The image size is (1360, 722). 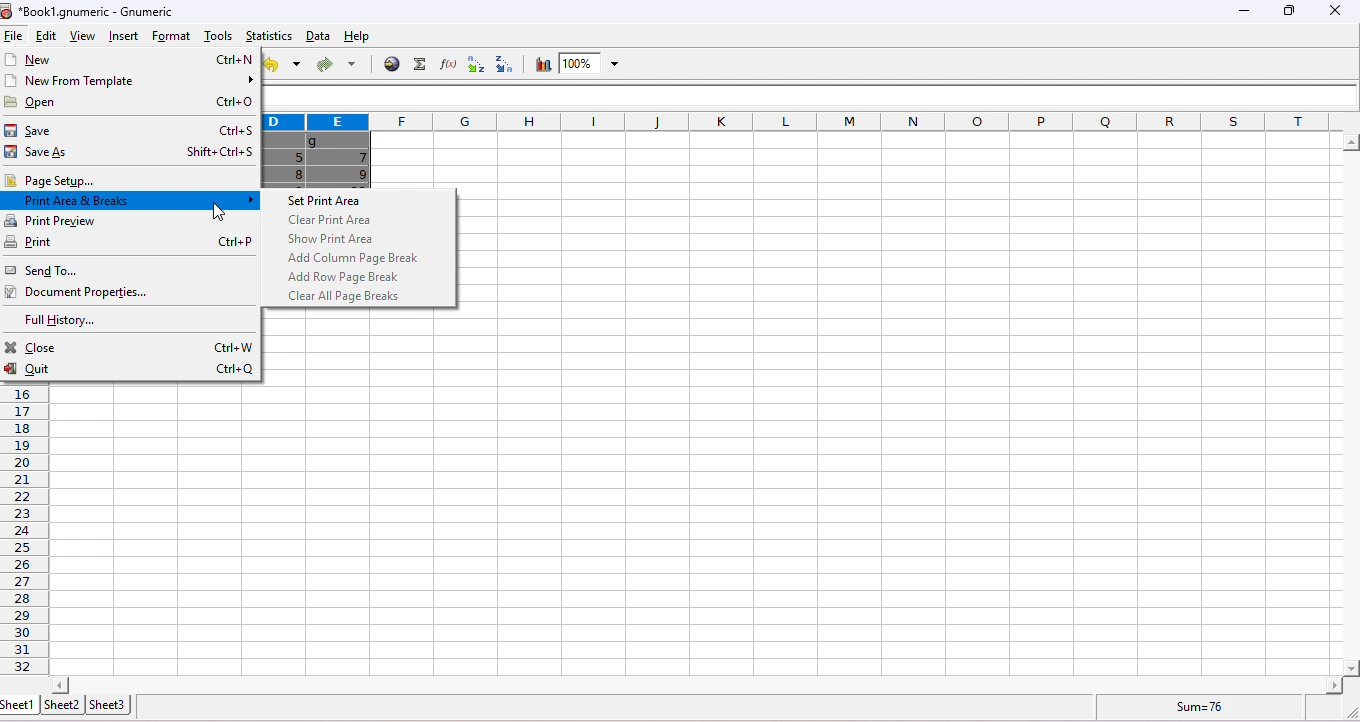 I want to click on send to, so click(x=88, y=270).